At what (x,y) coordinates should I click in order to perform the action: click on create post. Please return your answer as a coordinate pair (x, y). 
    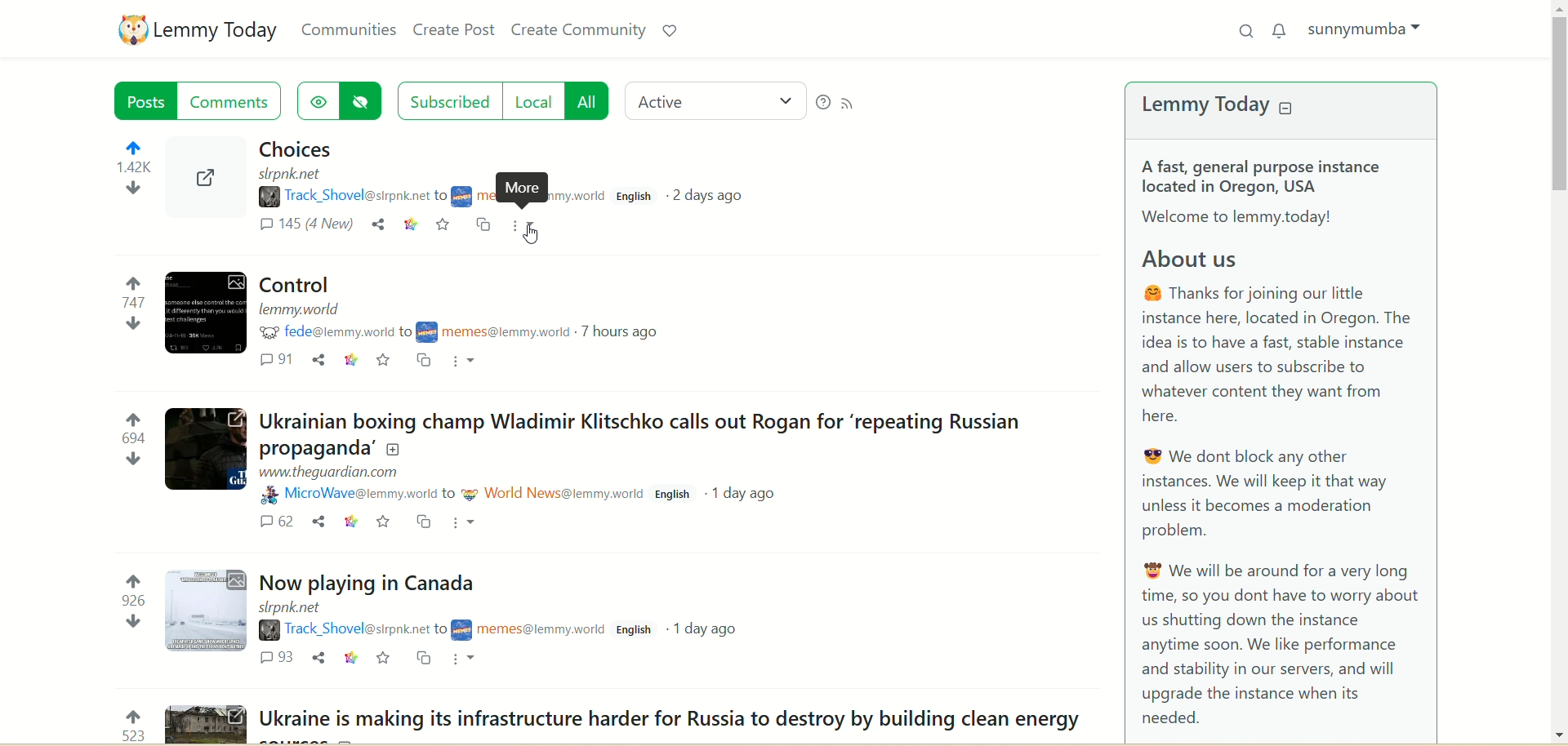
    Looking at the image, I should click on (457, 32).